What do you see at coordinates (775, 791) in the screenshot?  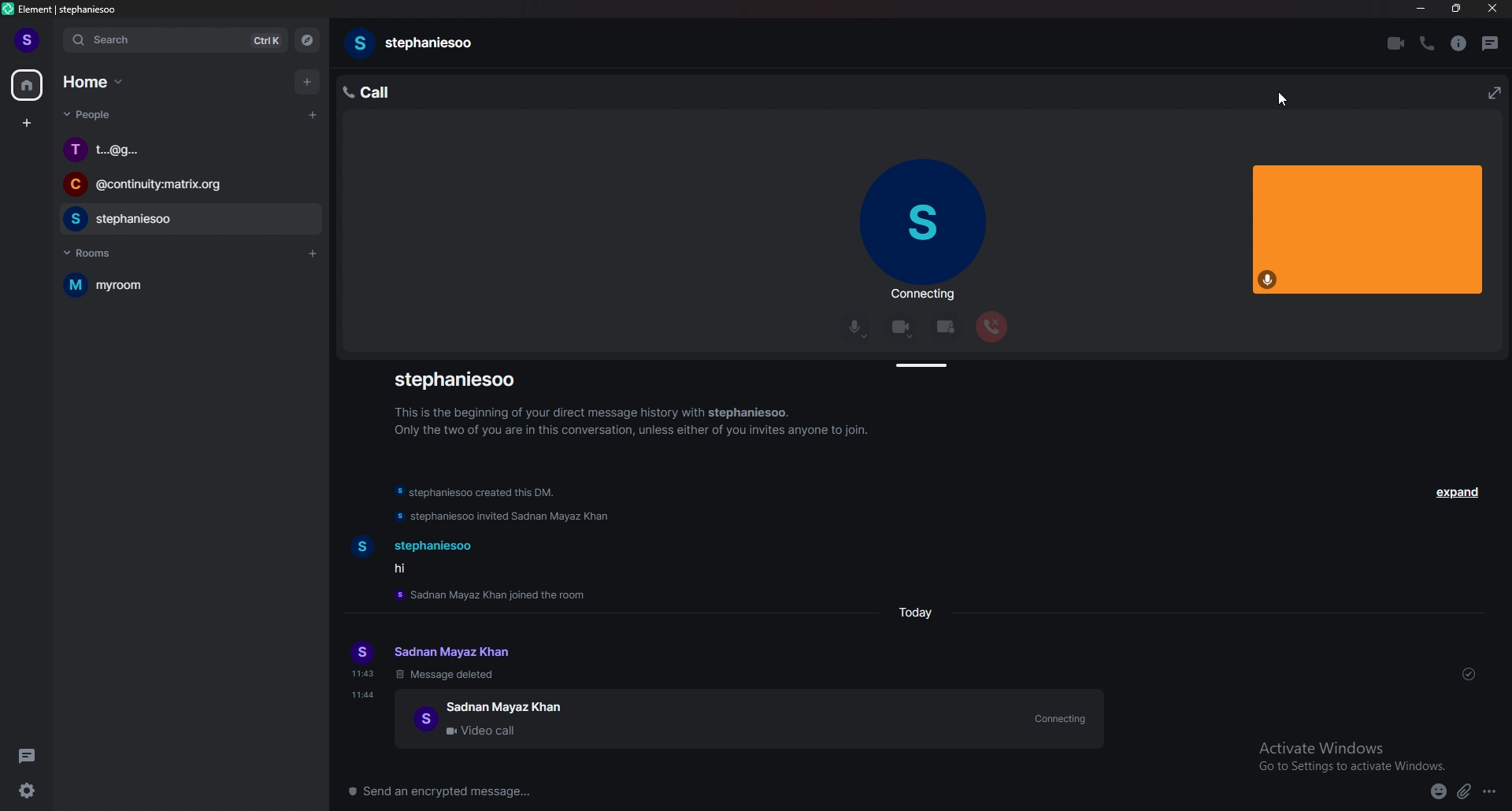 I see `message box` at bounding box center [775, 791].